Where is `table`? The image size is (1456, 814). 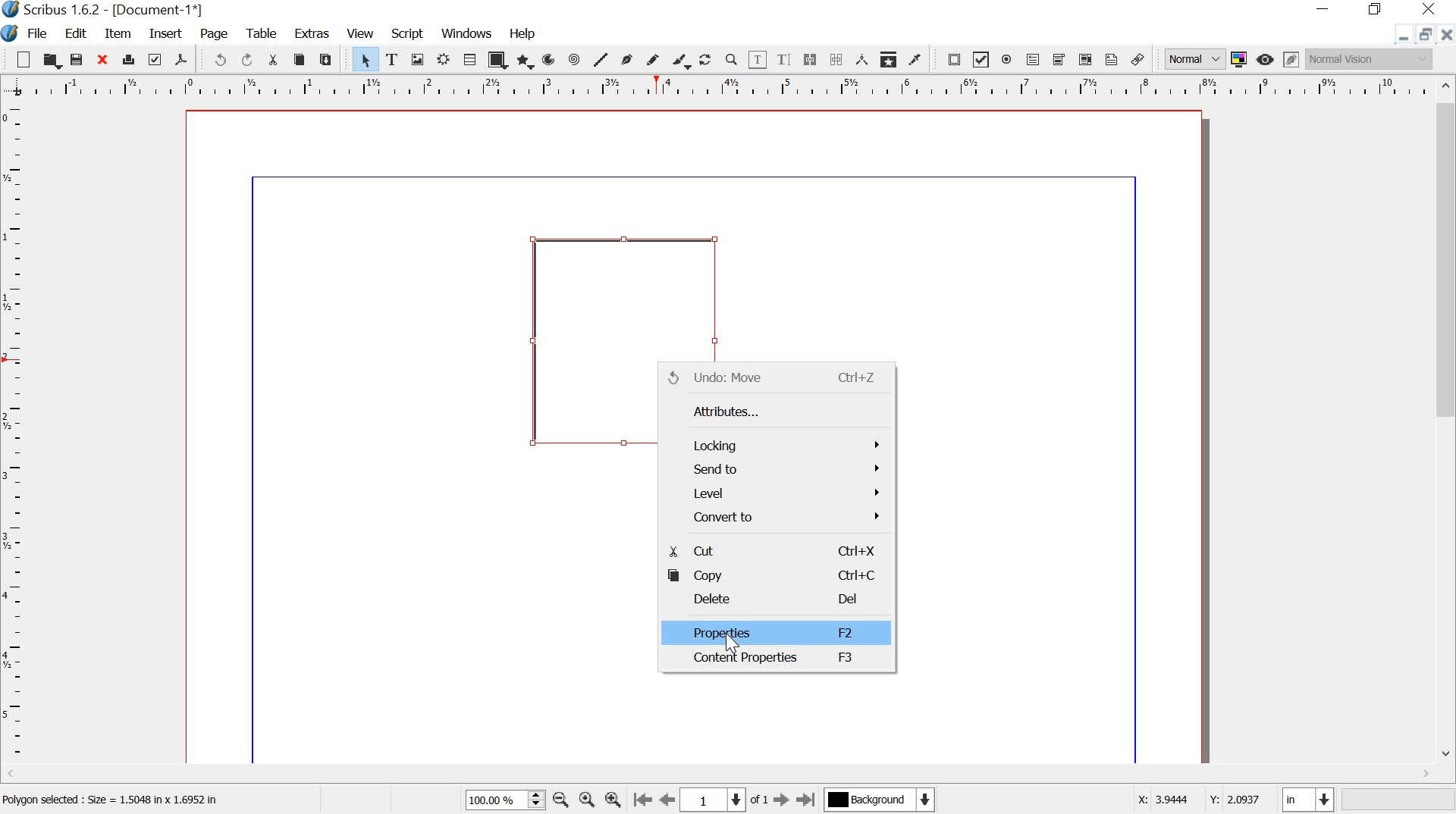 table is located at coordinates (263, 34).